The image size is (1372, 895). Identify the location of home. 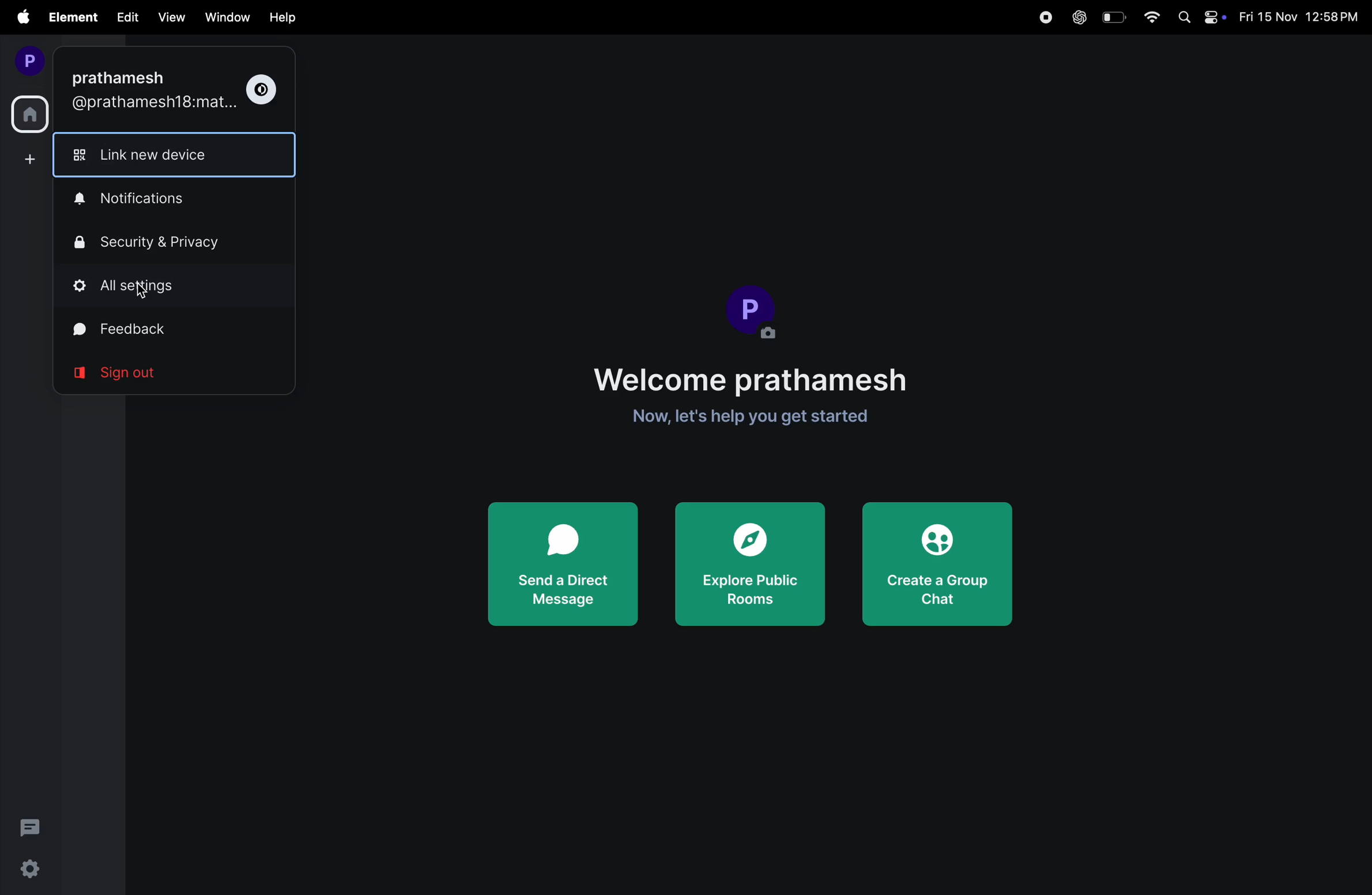
(28, 114).